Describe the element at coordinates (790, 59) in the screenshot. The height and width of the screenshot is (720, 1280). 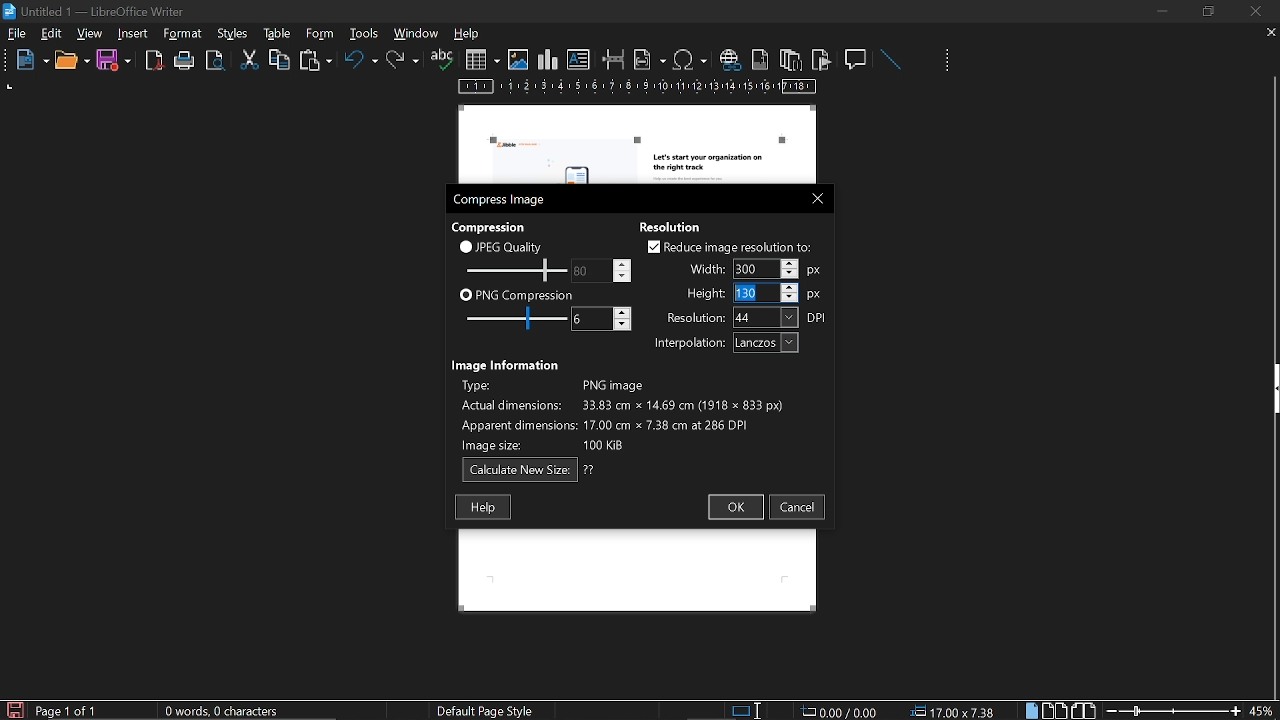
I see `insert endnote` at that location.